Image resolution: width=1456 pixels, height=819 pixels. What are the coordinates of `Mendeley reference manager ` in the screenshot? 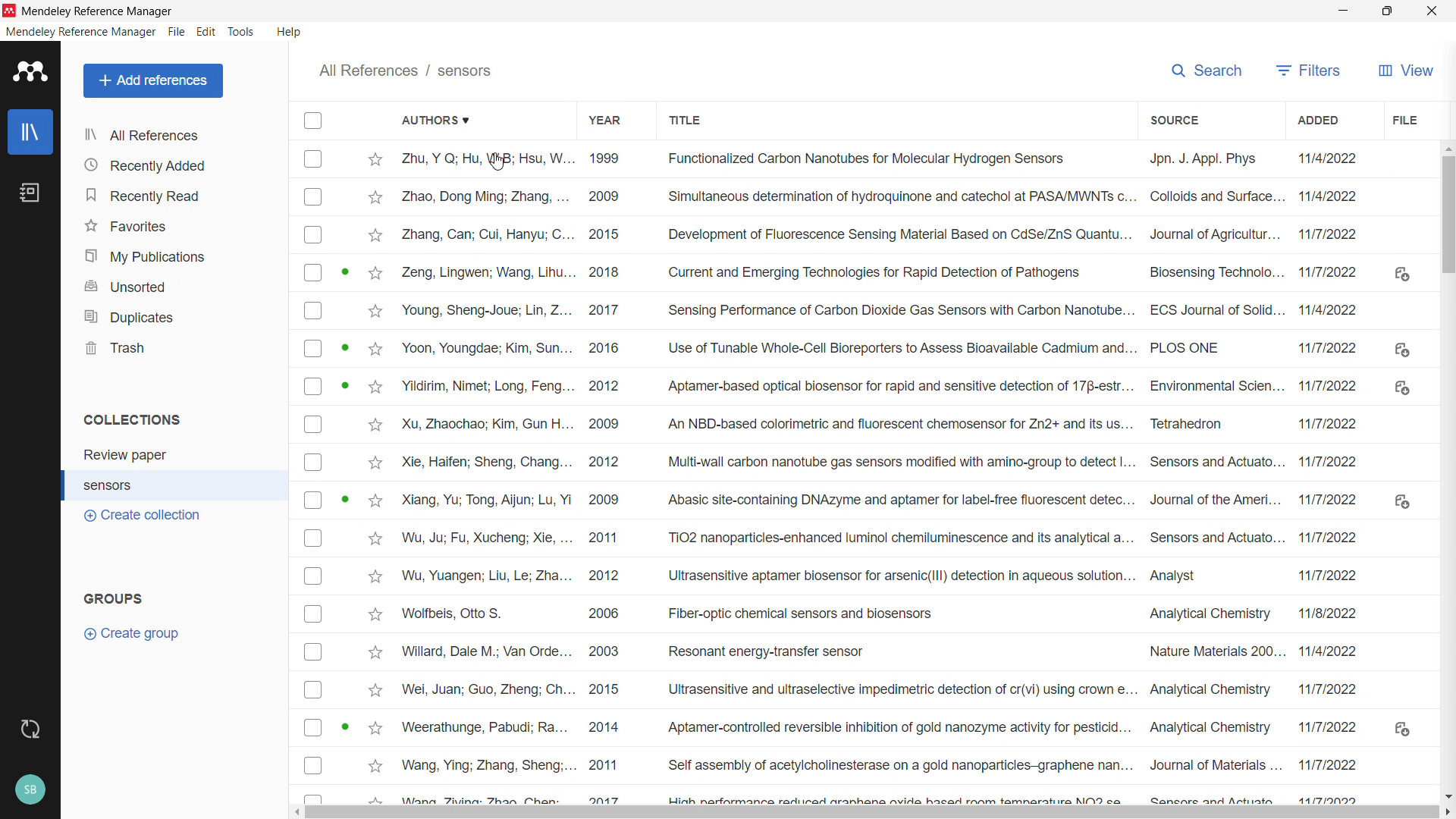 It's located at (81, 32).